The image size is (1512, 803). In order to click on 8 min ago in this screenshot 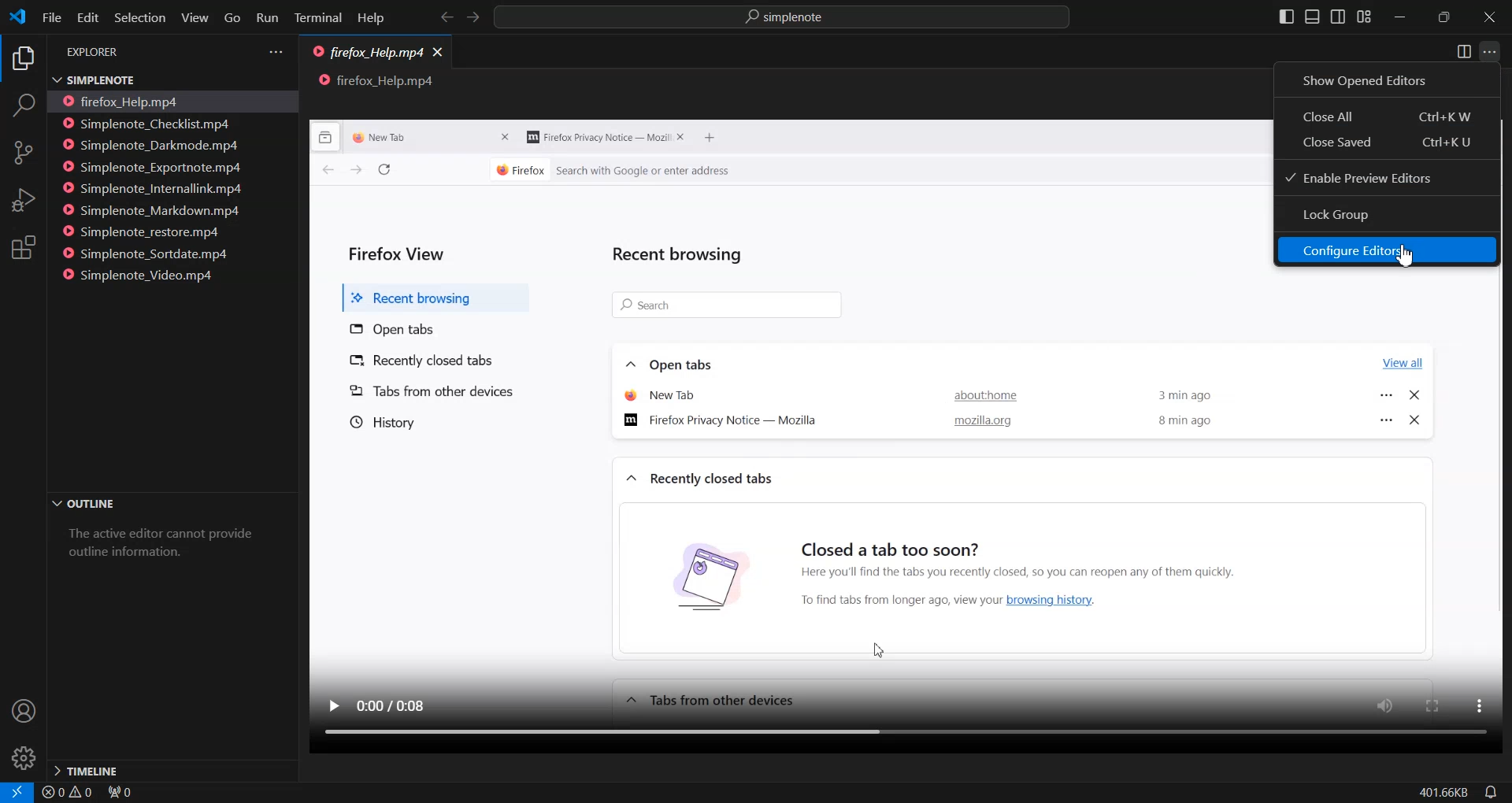, I will do `click(1186, 421)`.